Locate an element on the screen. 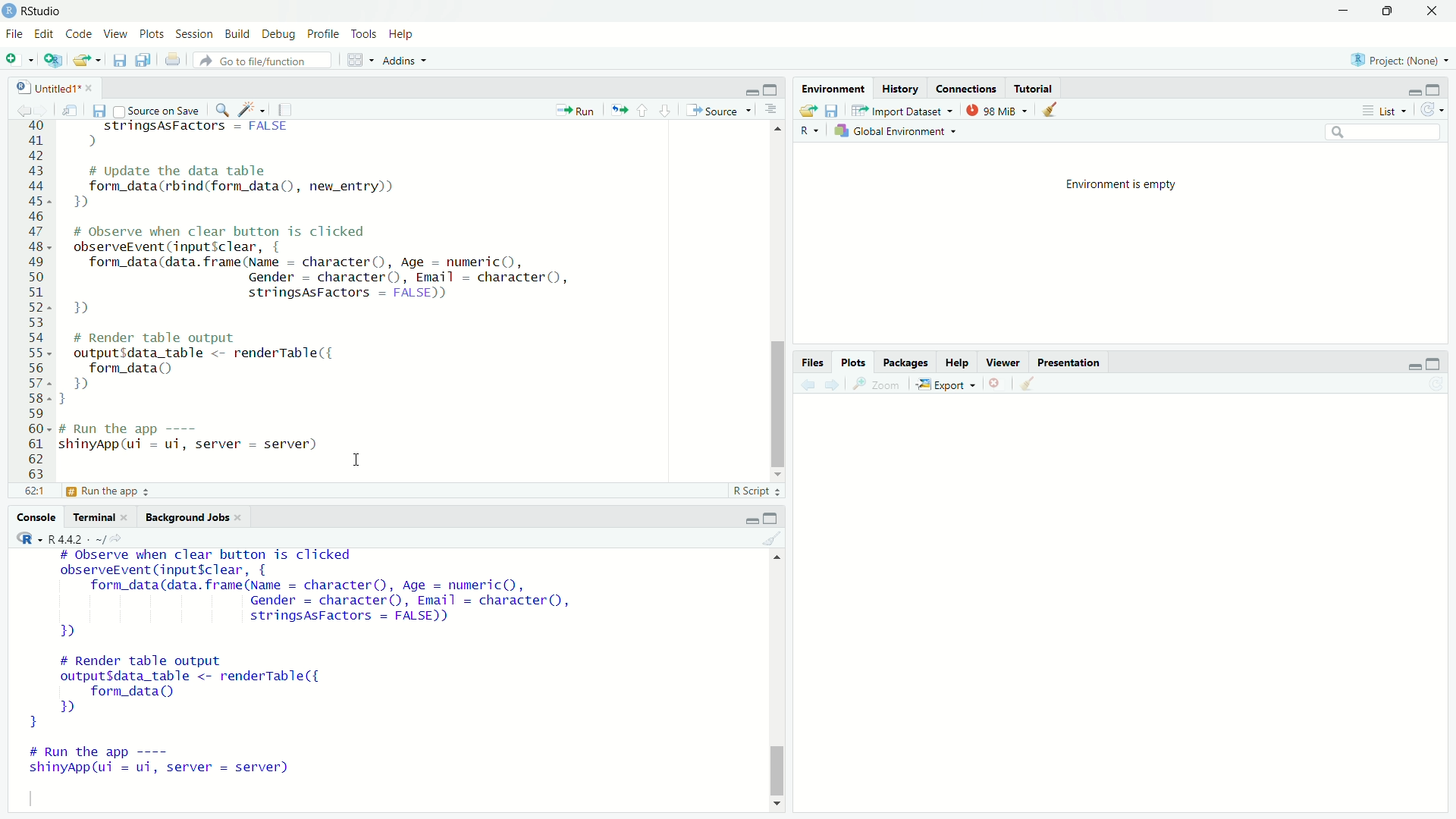 This screenshot has height=819, width=1456. save current document is located at coordinates (98, 109).